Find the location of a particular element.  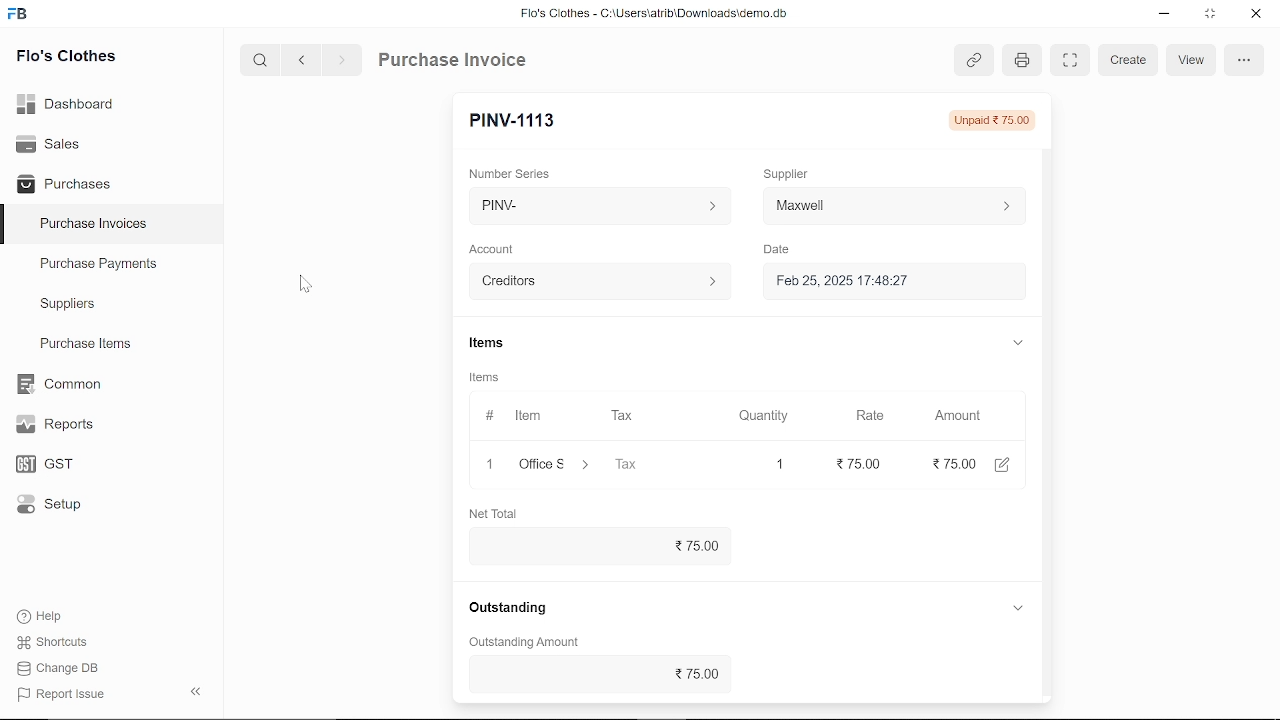

Net Total is located at coordinates (498, 513).